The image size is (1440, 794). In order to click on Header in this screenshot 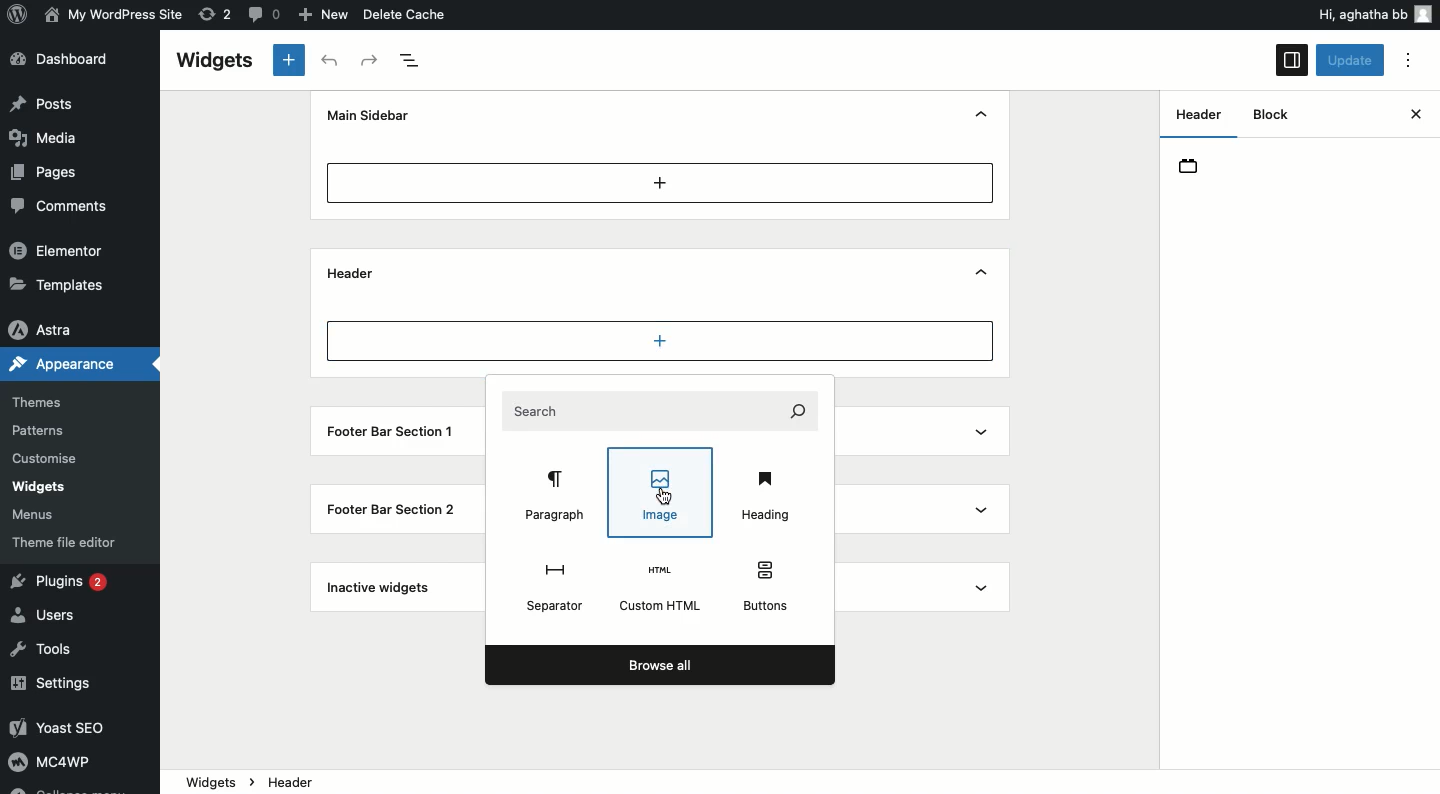, I will do `click(305, 781)`.